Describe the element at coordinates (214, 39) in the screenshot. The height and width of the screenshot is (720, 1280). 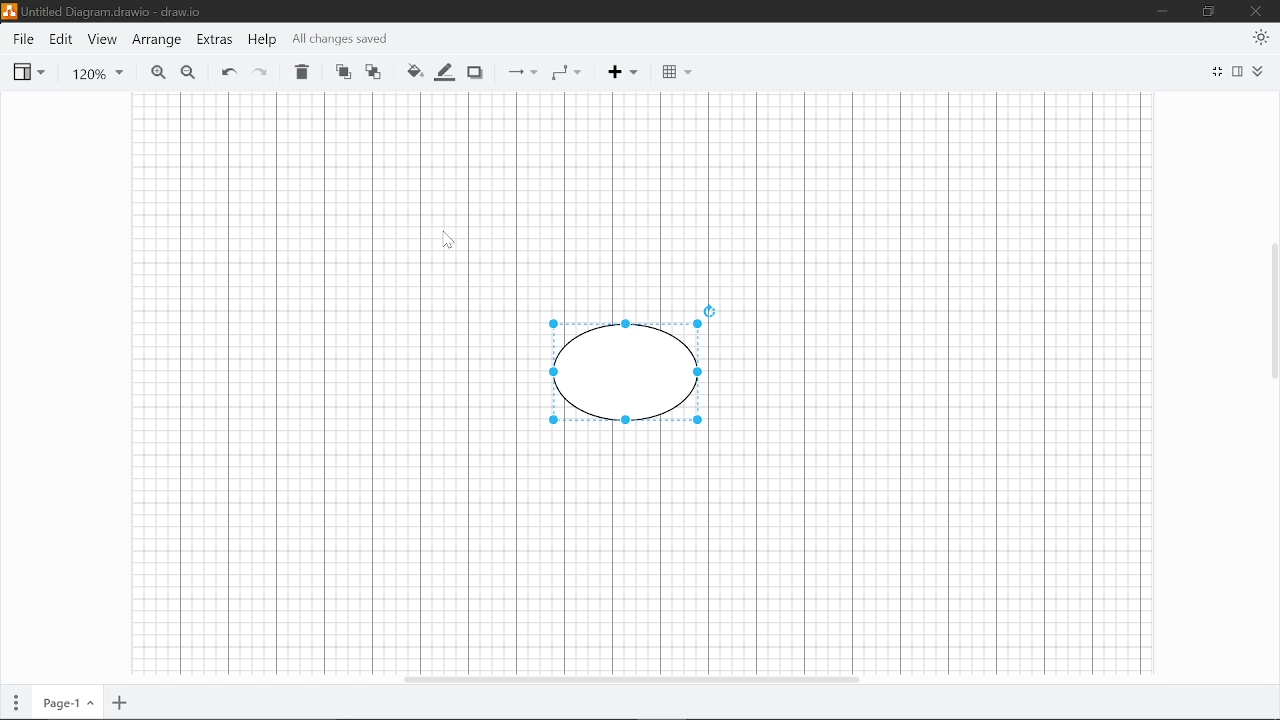
I see `Extras` at that location.